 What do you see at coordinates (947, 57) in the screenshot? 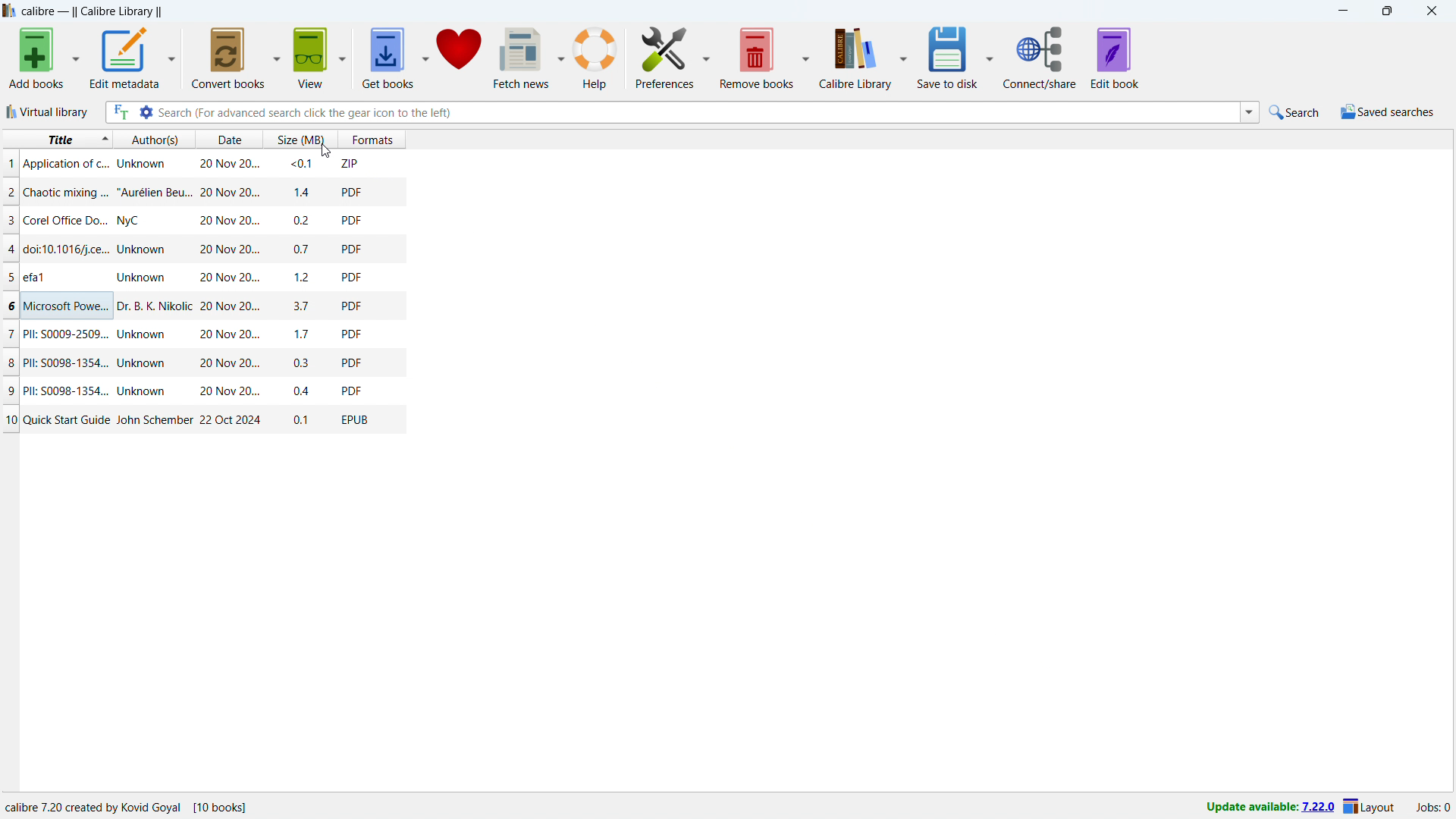
I see `save to disk` at bounding box center [947, 57].